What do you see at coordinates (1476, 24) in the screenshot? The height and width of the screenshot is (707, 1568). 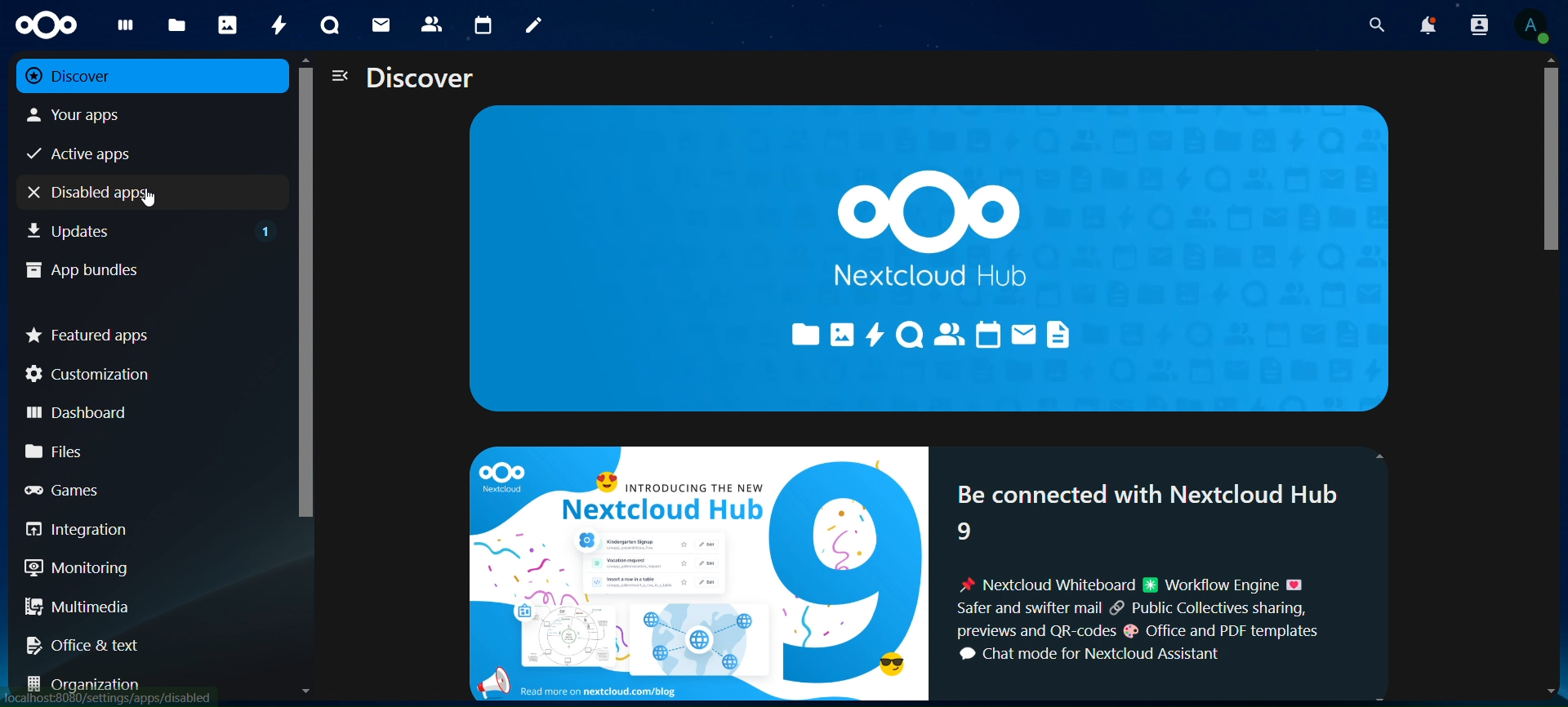 I see `notification` at bounding box center [1476, 24].